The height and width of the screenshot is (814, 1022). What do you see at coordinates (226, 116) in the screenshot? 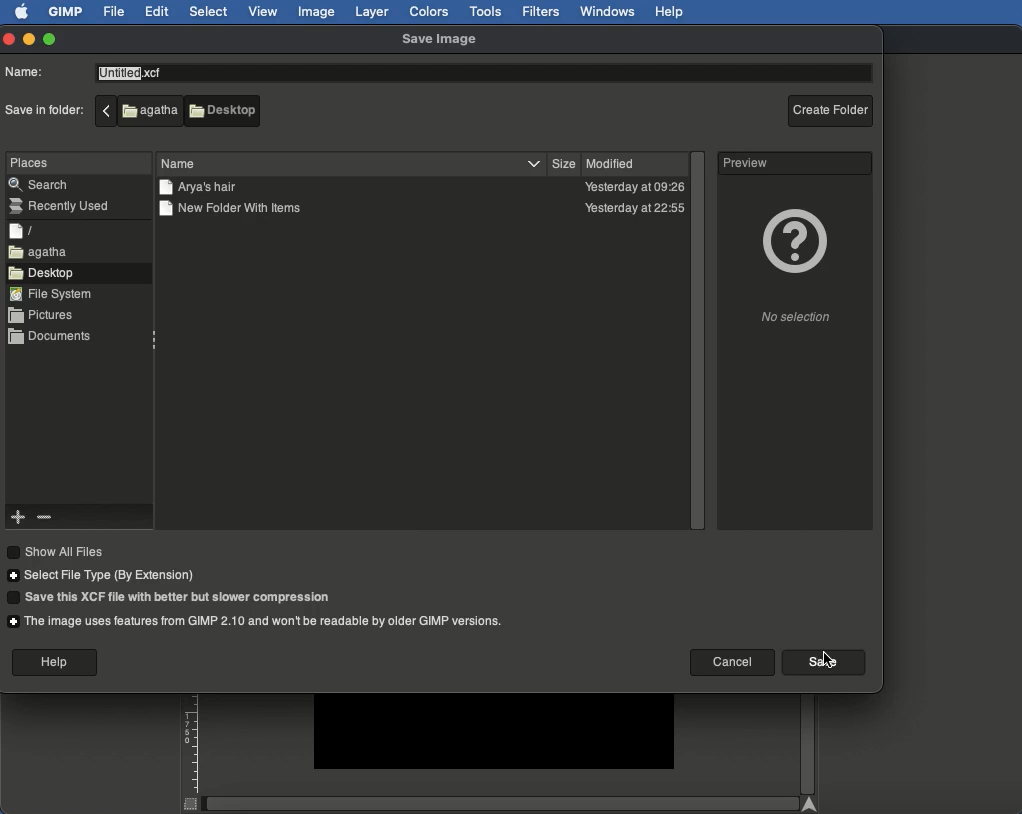
I see `Desktop` at bounding box center [226, 116].